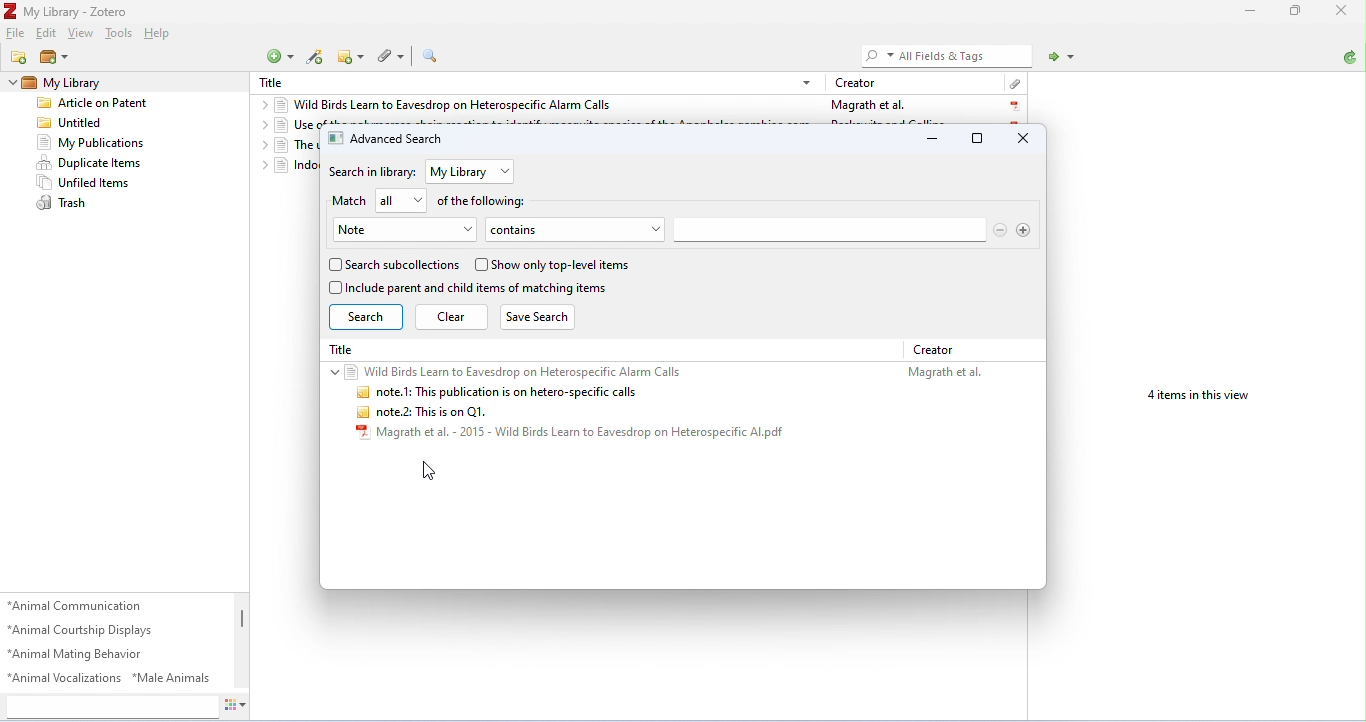 The width and height of the screenshot is (1366, 722). What do you see at coordinates (390, 200) in the screenshot?
I see `all` at bounding box center [390, 200].